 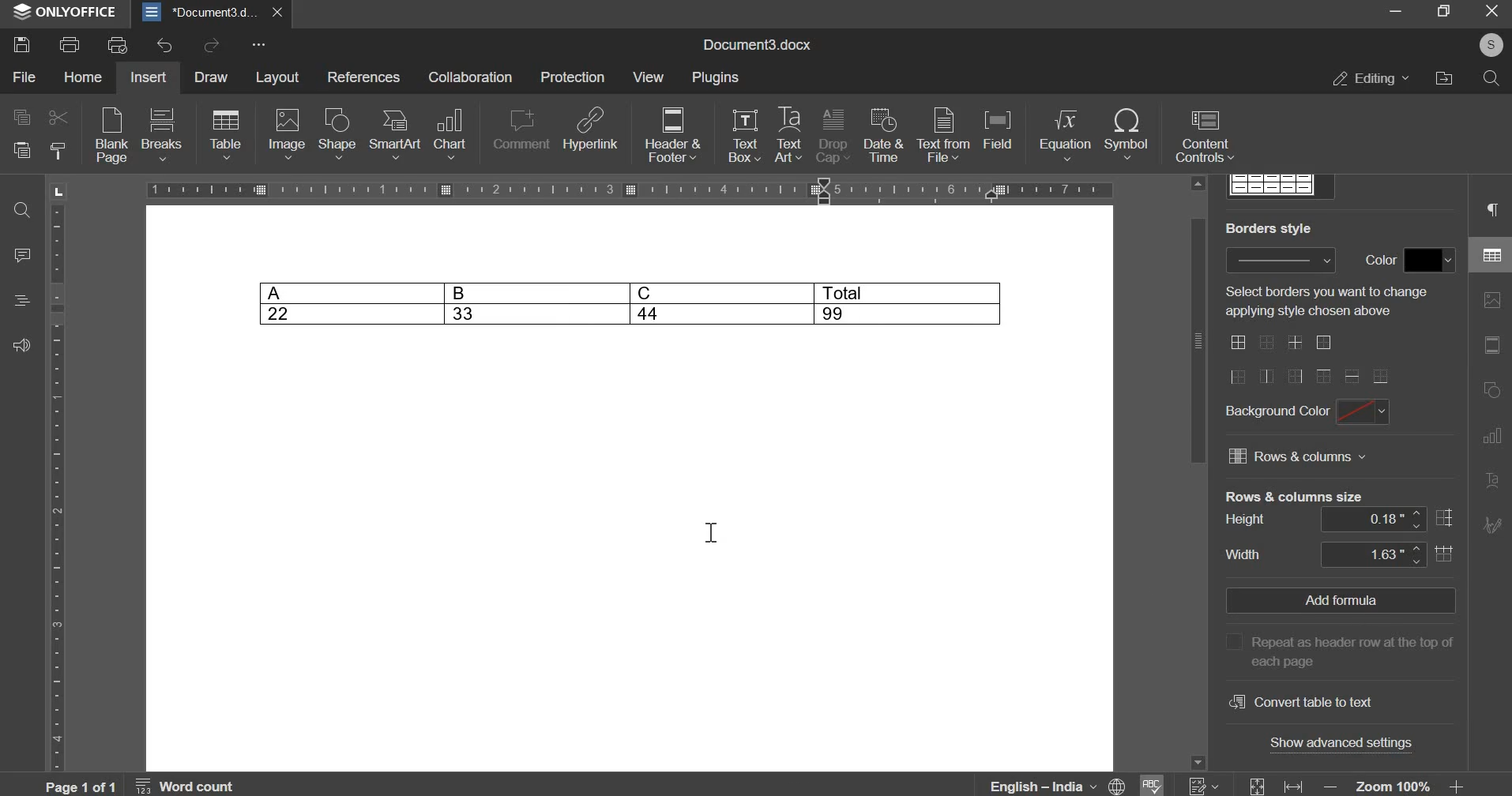 I want to click on content controls, so click(x=1204, y=137).